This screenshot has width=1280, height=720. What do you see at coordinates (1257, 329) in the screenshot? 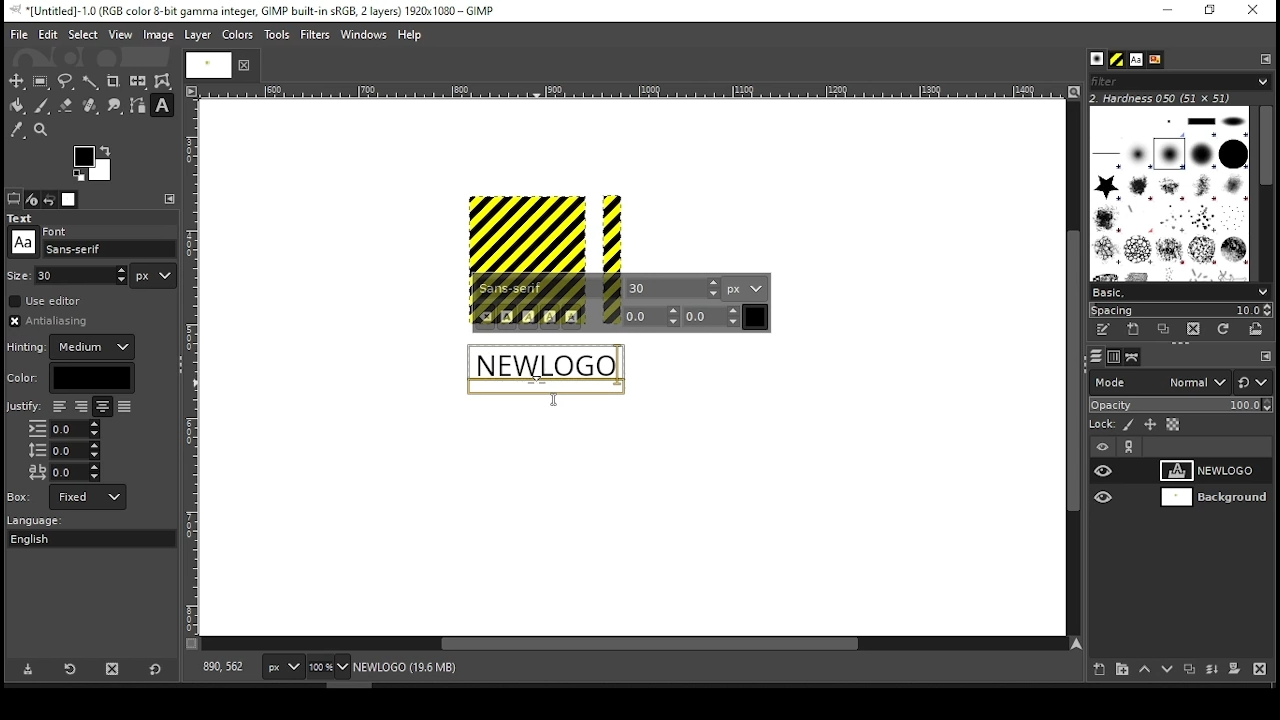
I see `open brush as image` at bounding box center [1257, 329].